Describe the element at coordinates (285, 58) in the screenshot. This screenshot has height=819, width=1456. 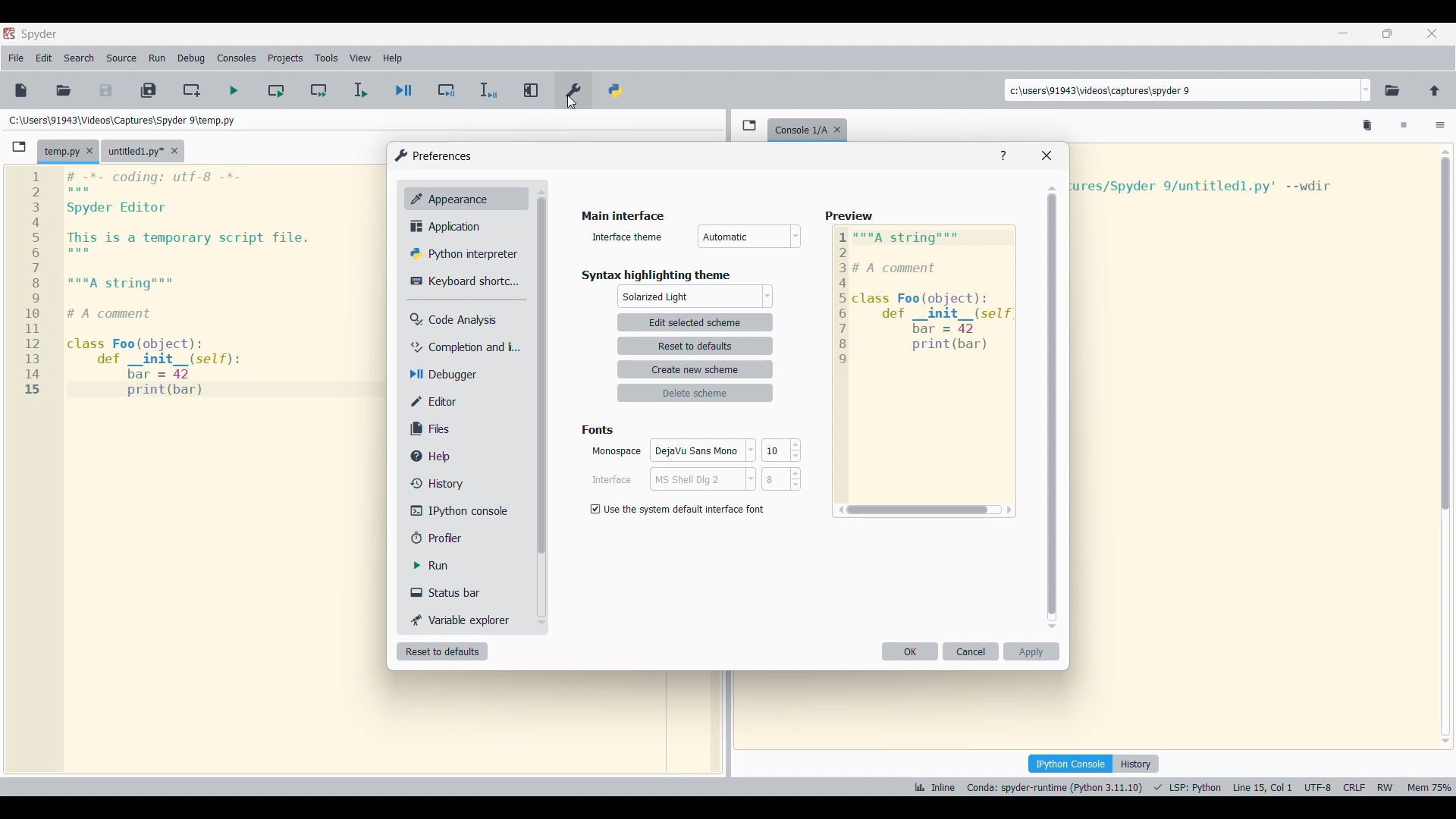
I see `Projects menu` at that location.